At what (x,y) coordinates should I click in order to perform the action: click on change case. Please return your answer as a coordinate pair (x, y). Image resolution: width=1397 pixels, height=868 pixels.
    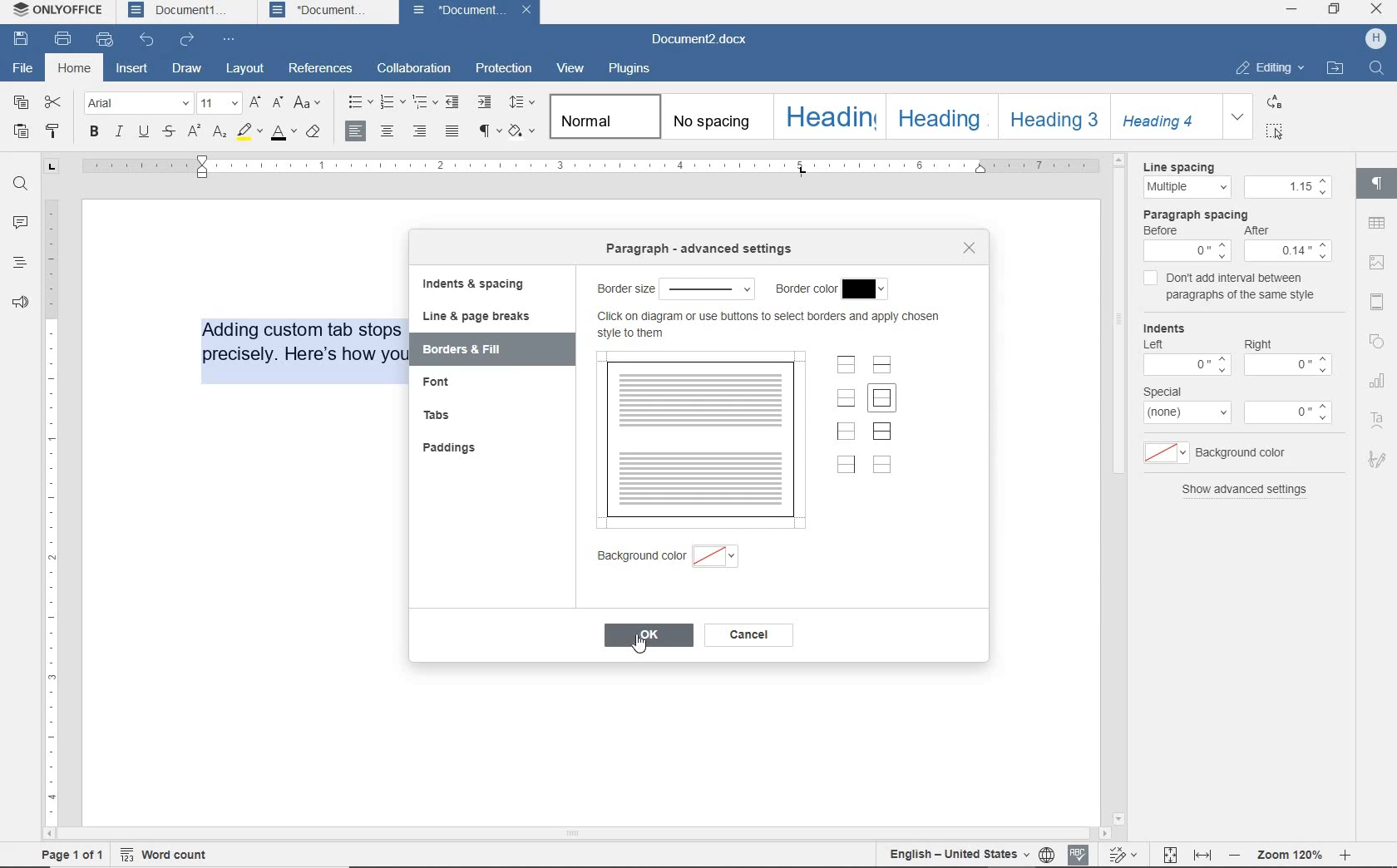
    Looking at the image, I should click on (311, 104).